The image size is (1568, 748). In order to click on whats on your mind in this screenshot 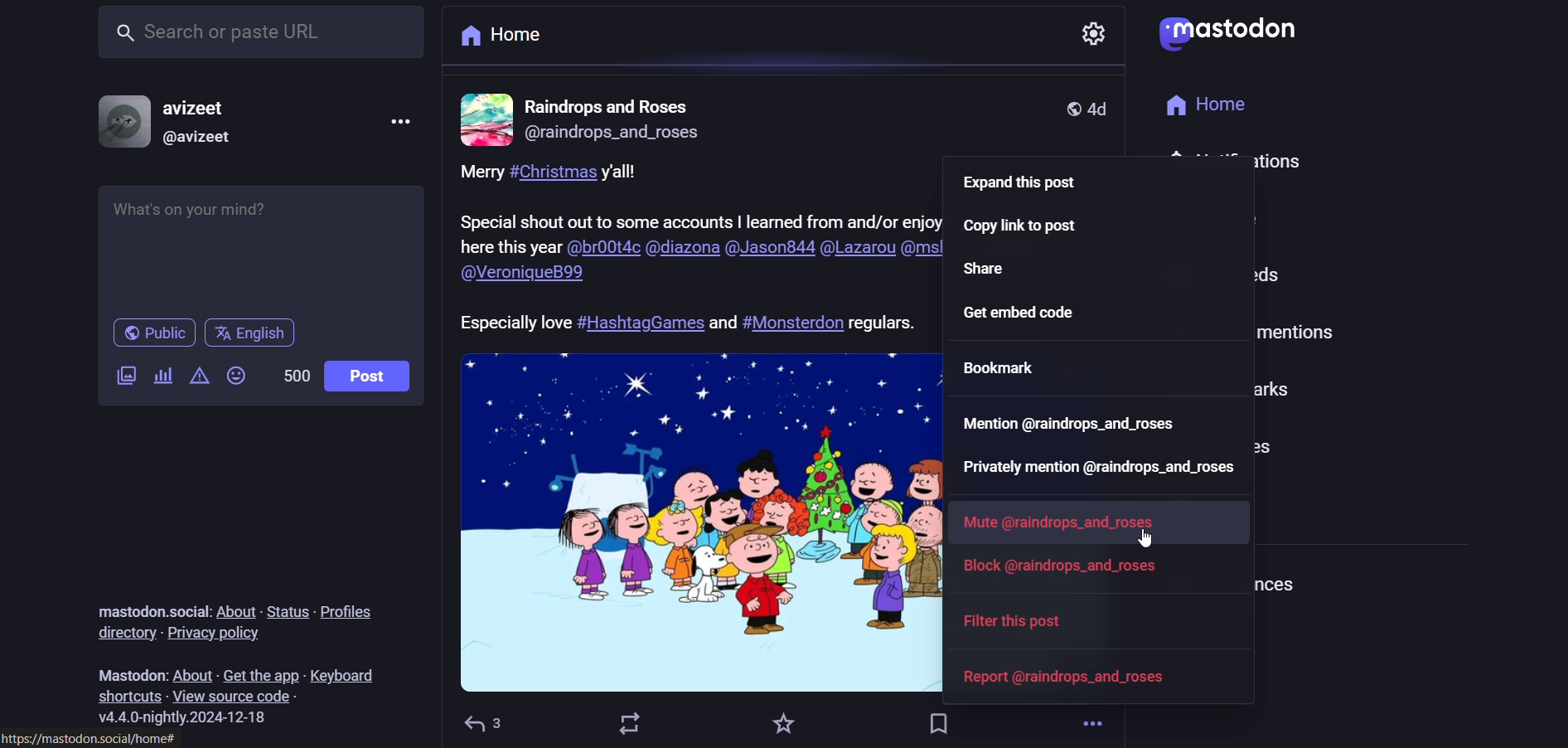, I will do `click(259, 245)`.